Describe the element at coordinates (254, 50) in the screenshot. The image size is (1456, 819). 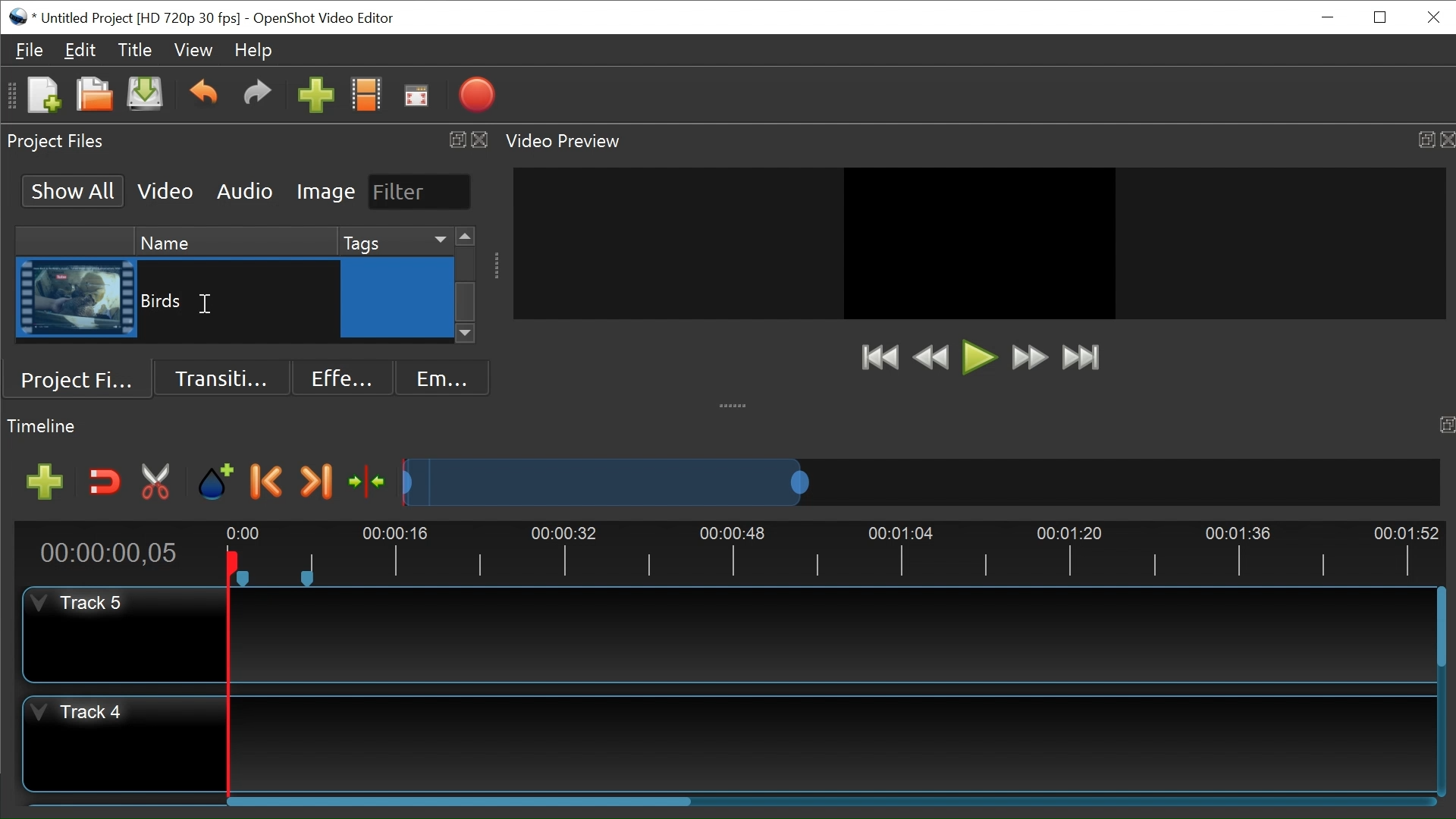
I see `Help` at that location.